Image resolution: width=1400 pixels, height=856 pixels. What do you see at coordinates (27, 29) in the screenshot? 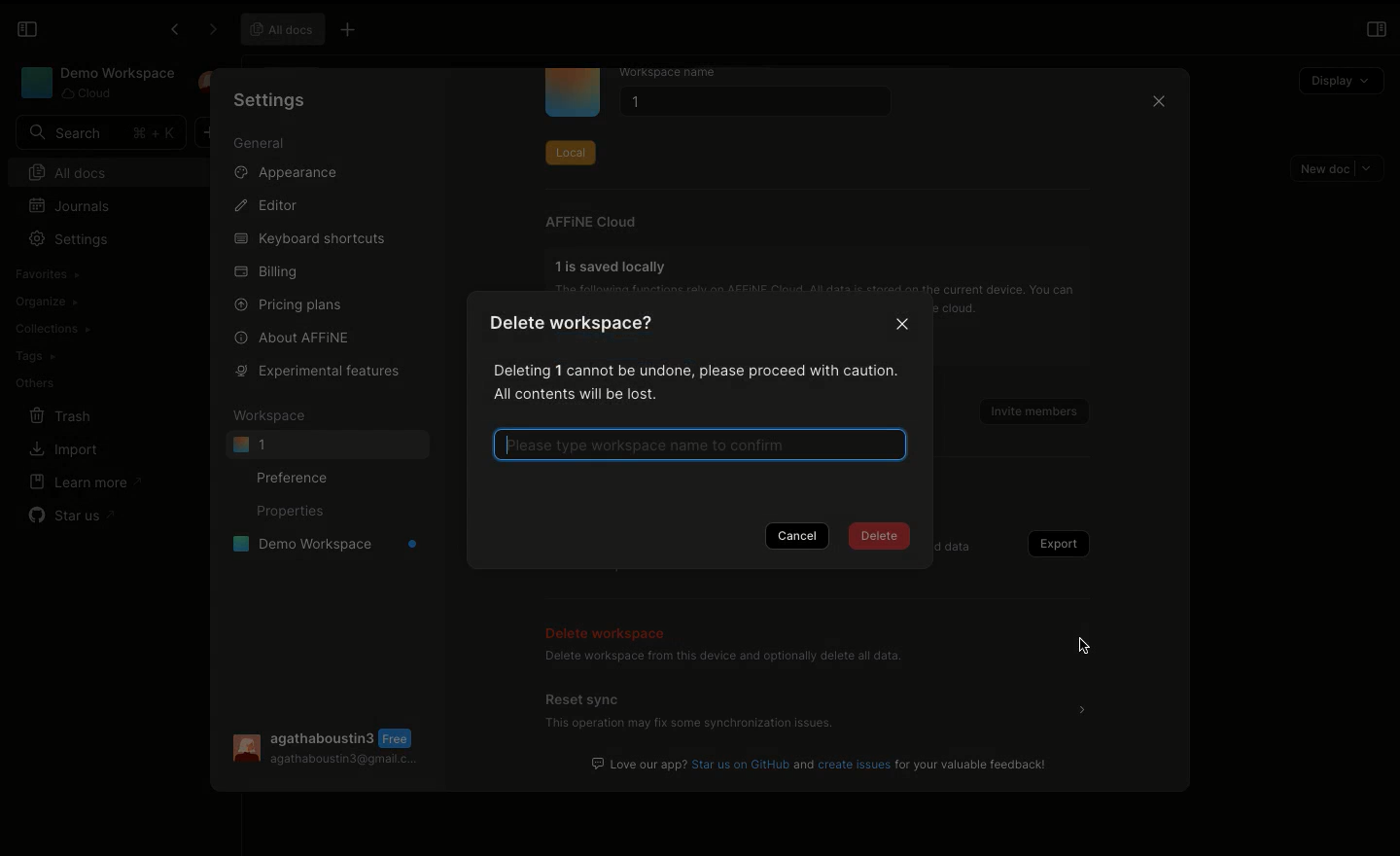
I see `Collapse sidebar` at bounding box center [27, 29].